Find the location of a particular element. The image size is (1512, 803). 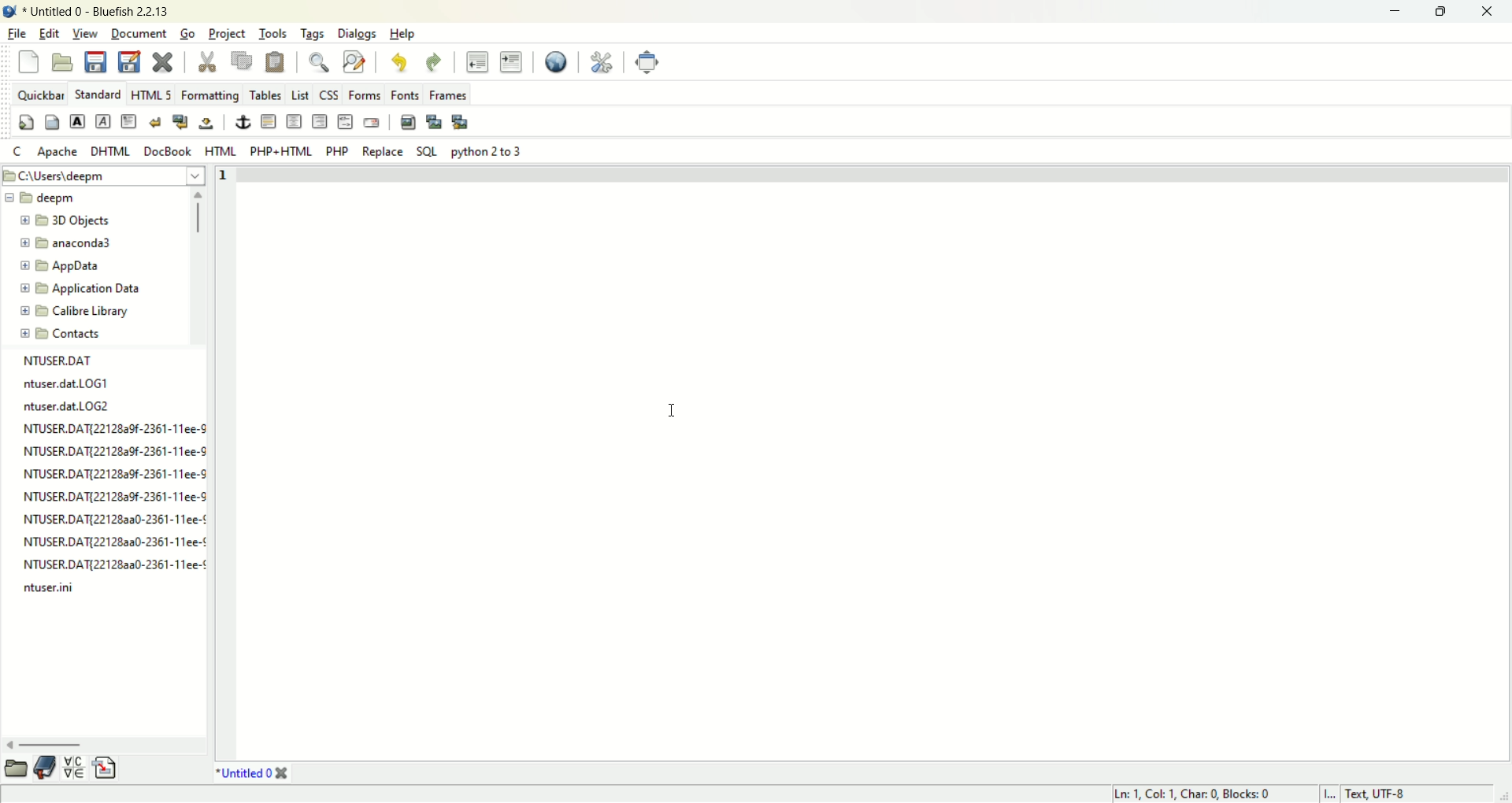

SQL is located at coordinates (427, 151).